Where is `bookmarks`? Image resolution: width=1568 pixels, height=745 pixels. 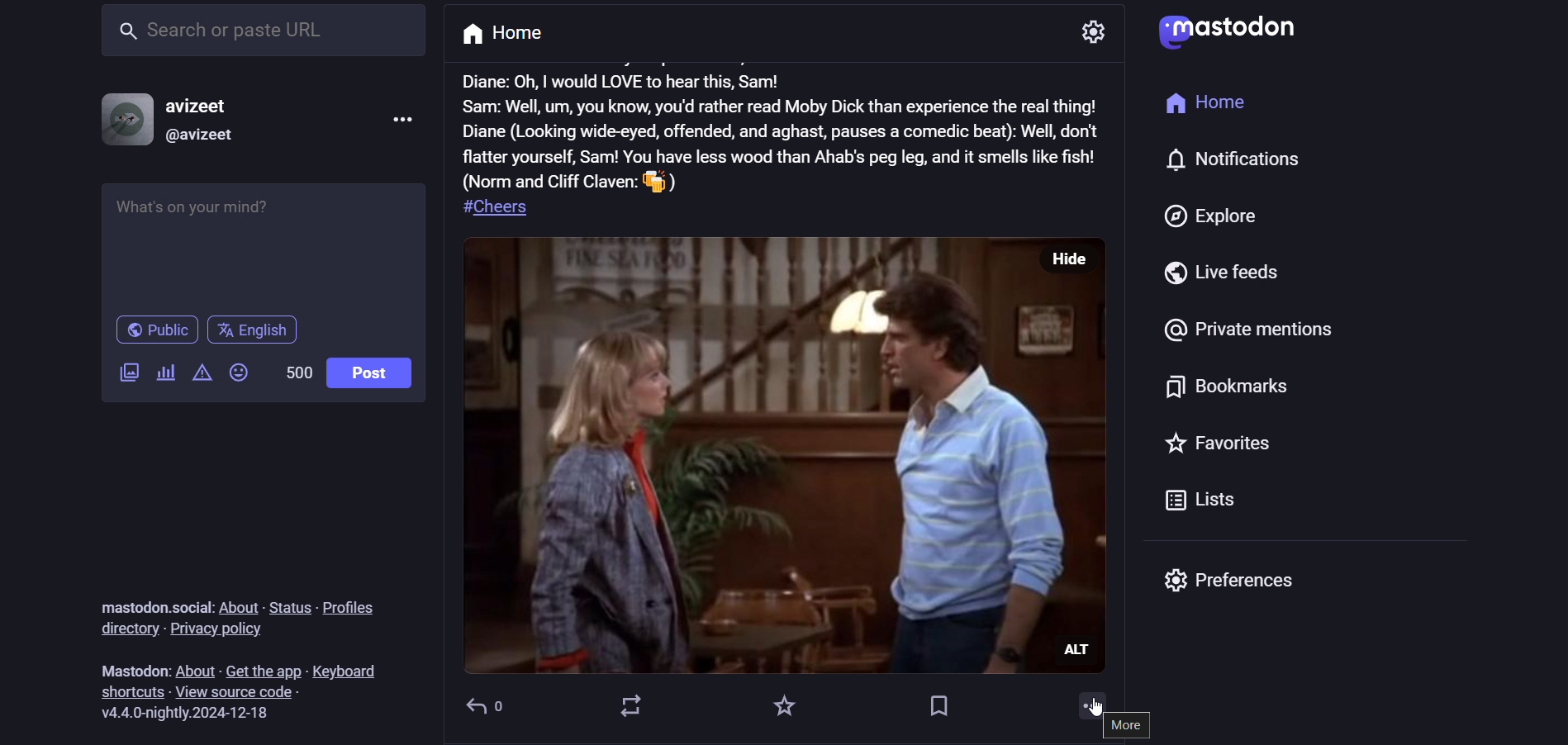 bookmarks is located at coordinates (943, 705).